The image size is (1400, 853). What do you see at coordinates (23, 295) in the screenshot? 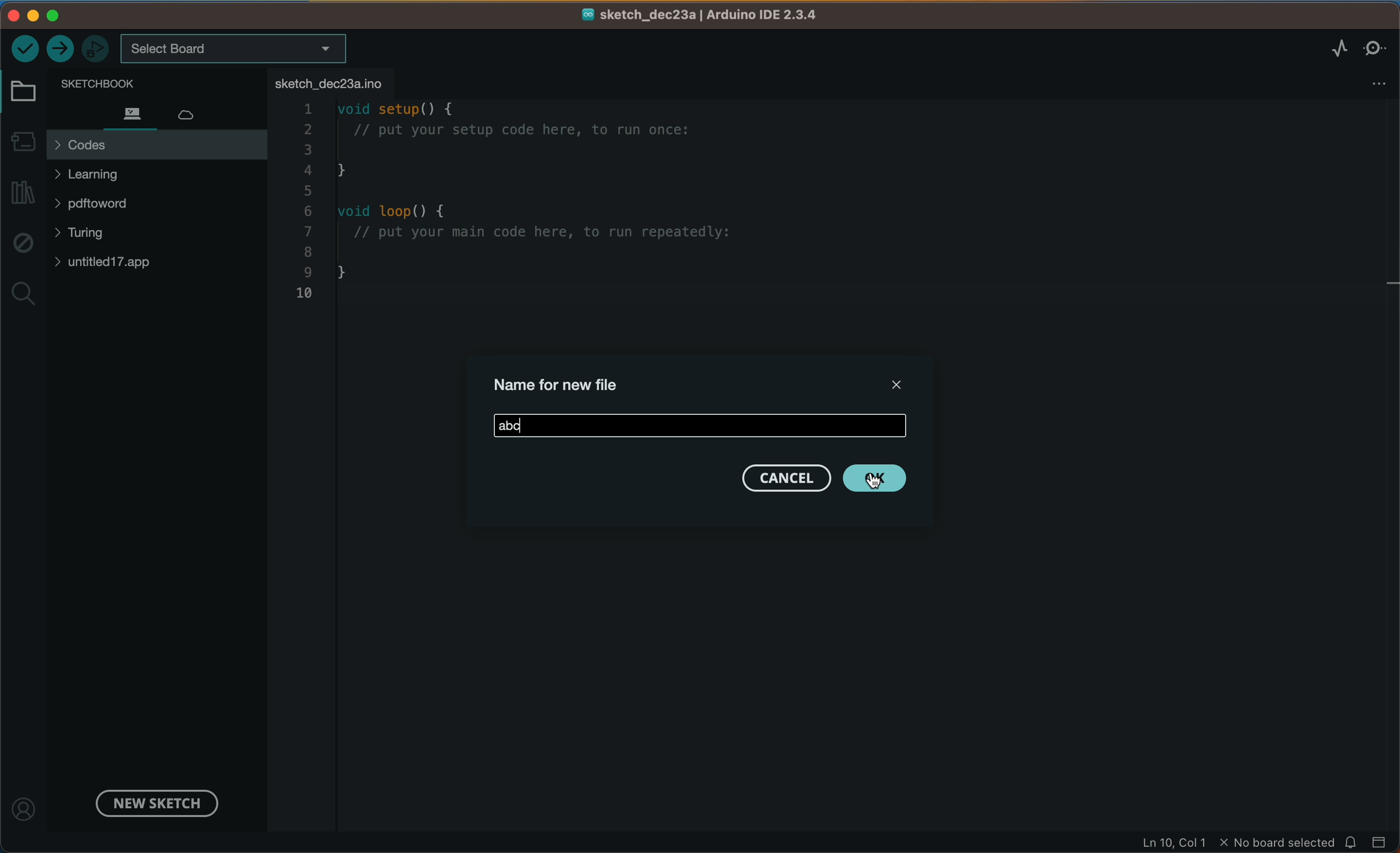
I see `search` at bounding box center [23, 295].